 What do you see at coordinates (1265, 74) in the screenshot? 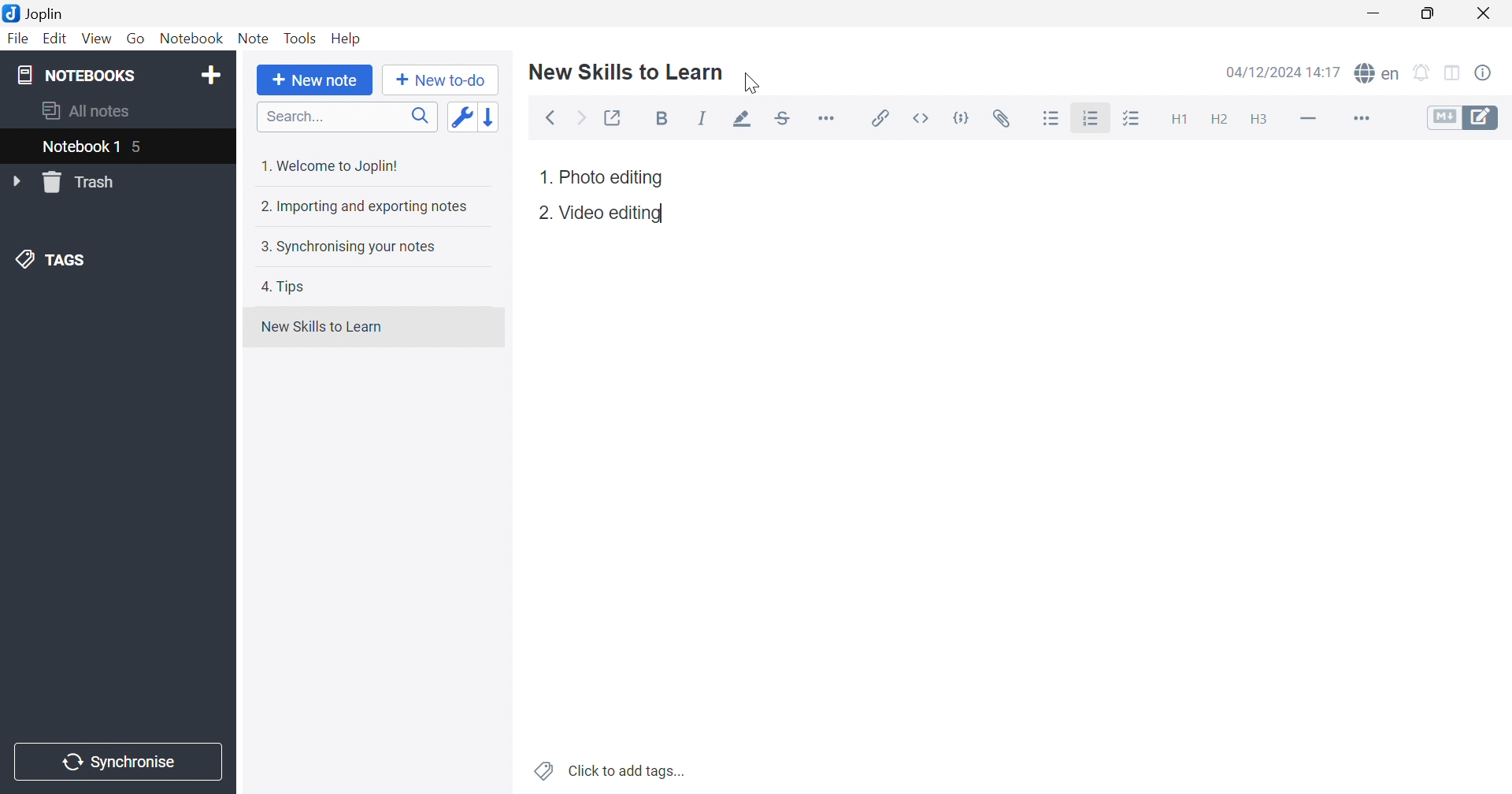
I see `04/12/2024` at bounding box center [1265, 74].